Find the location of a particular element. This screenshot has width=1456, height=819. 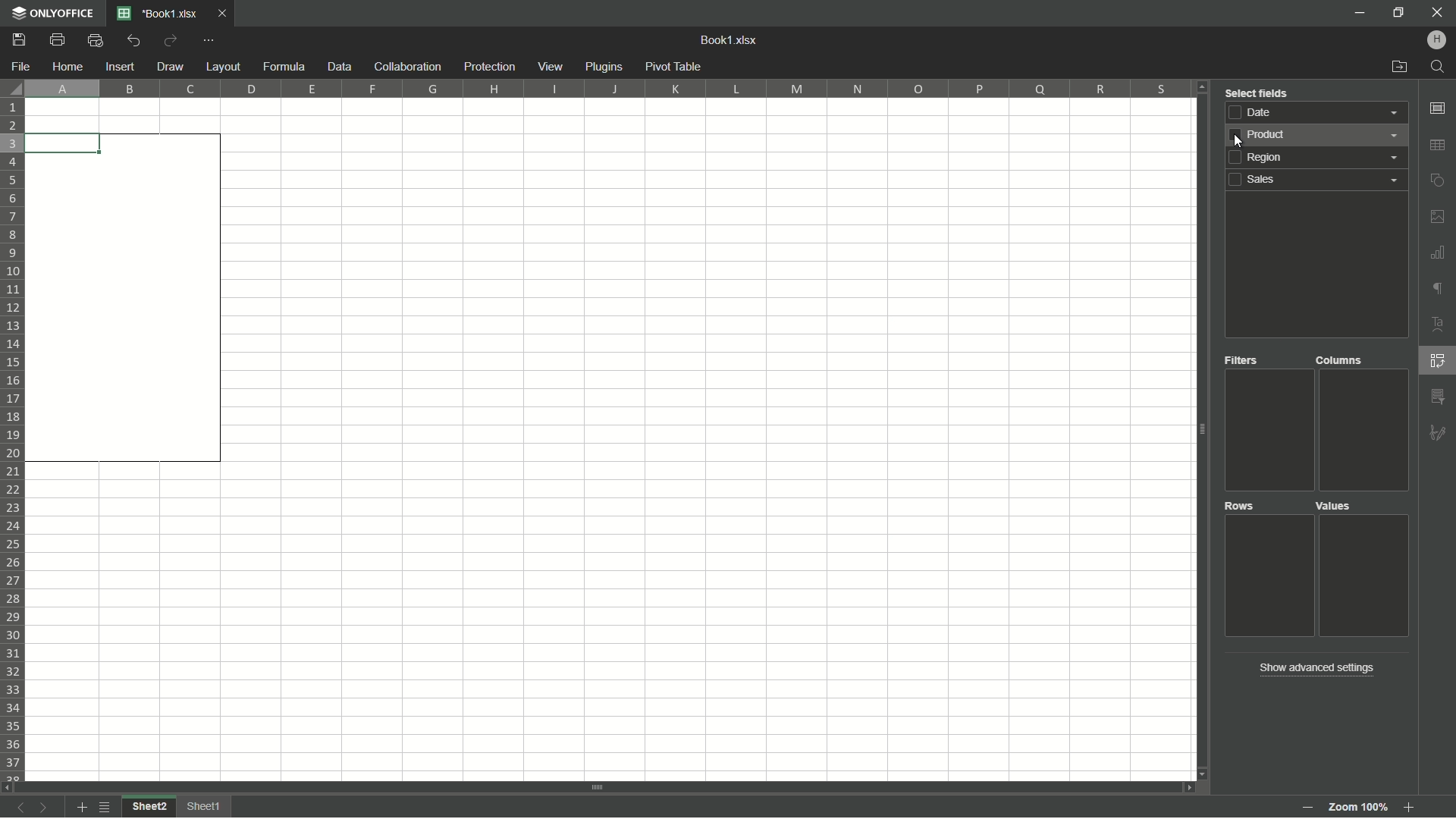

cell settings is located at coordinates (1436, 108).